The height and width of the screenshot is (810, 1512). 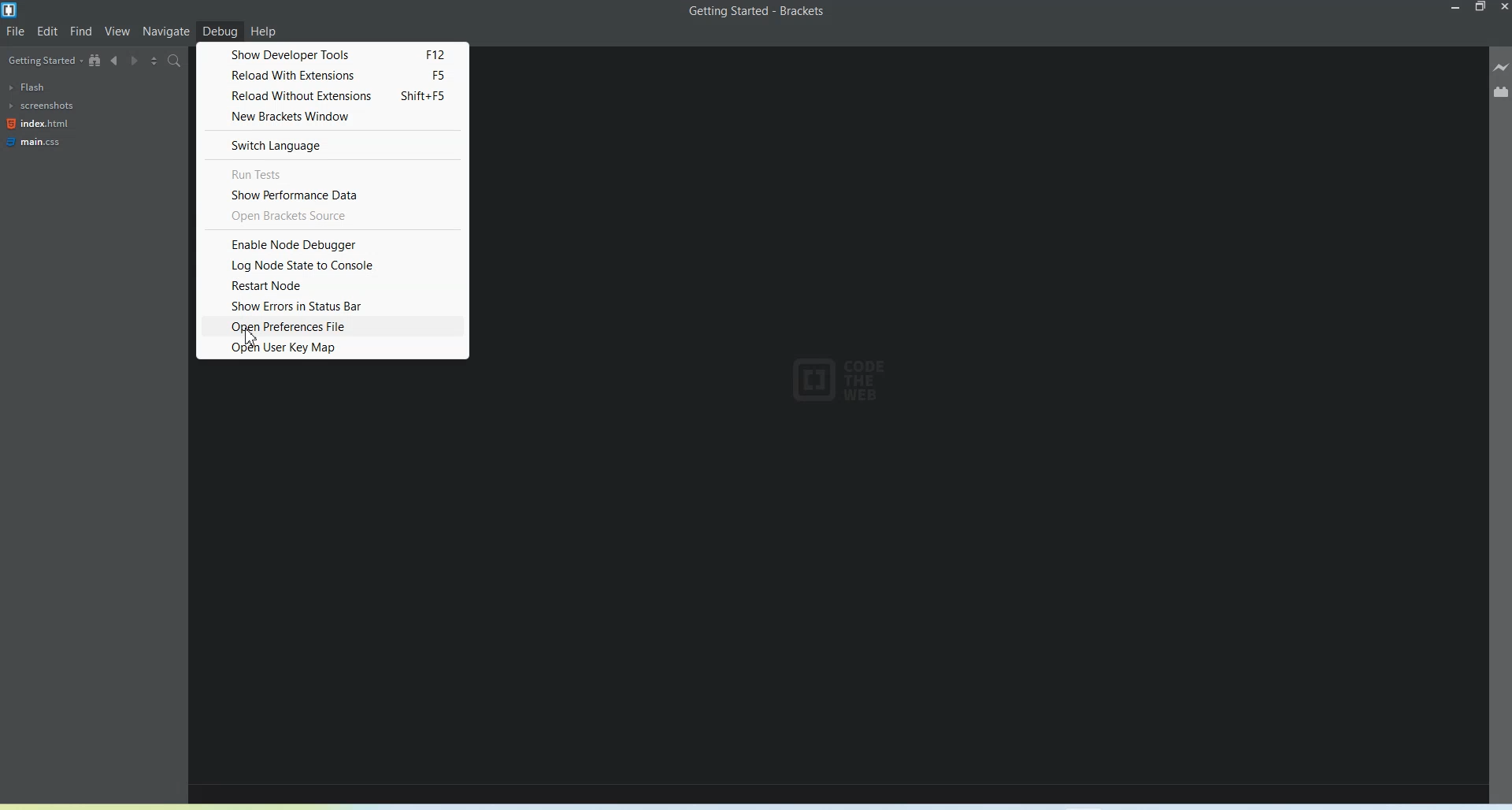 What do you see at coordinates (832, 383) in the screenshot?
I see `code the web` at bounding box center [832, 383].